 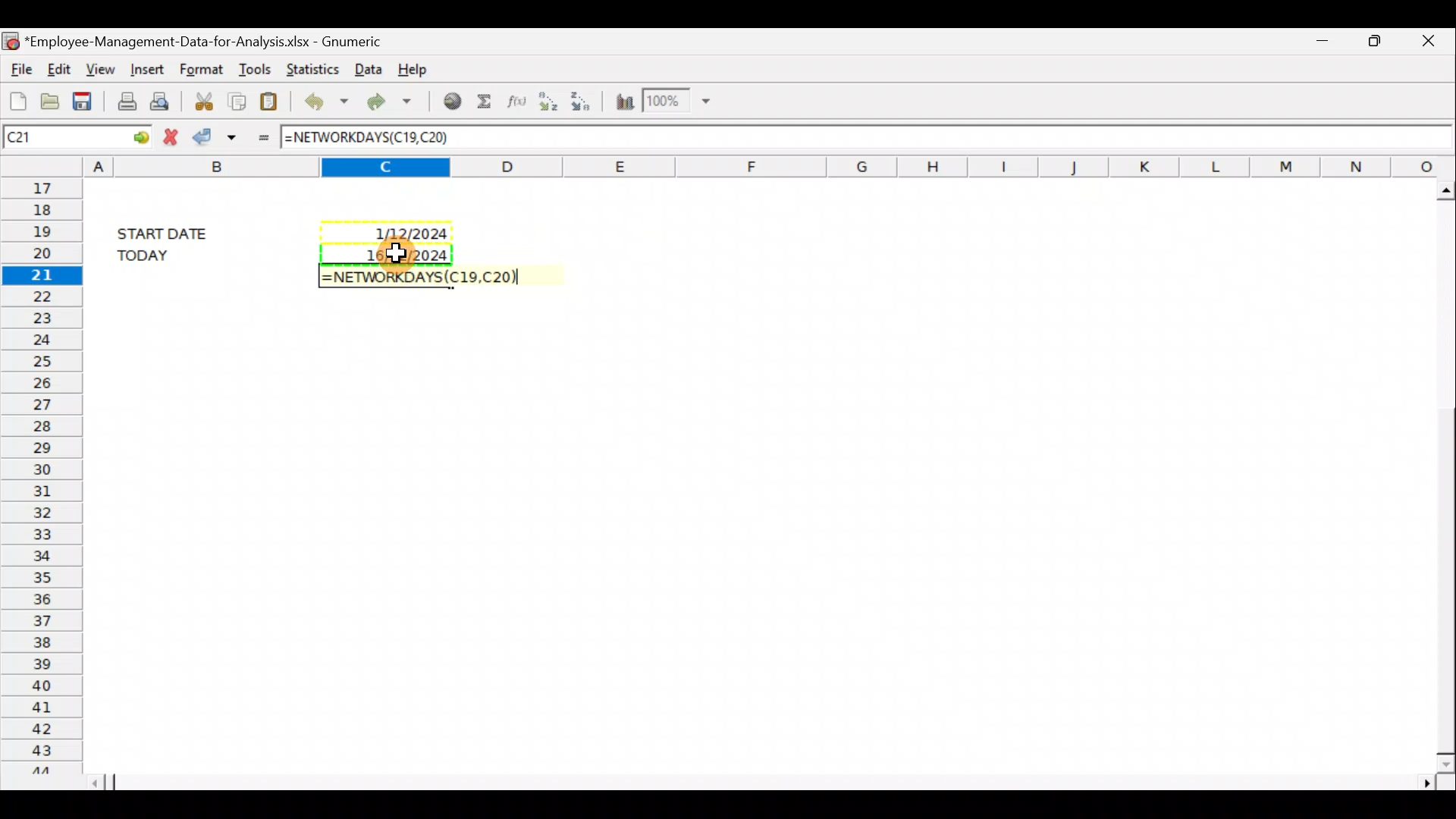 I want to click on Scroll bar, so click(x=1439, y=472).